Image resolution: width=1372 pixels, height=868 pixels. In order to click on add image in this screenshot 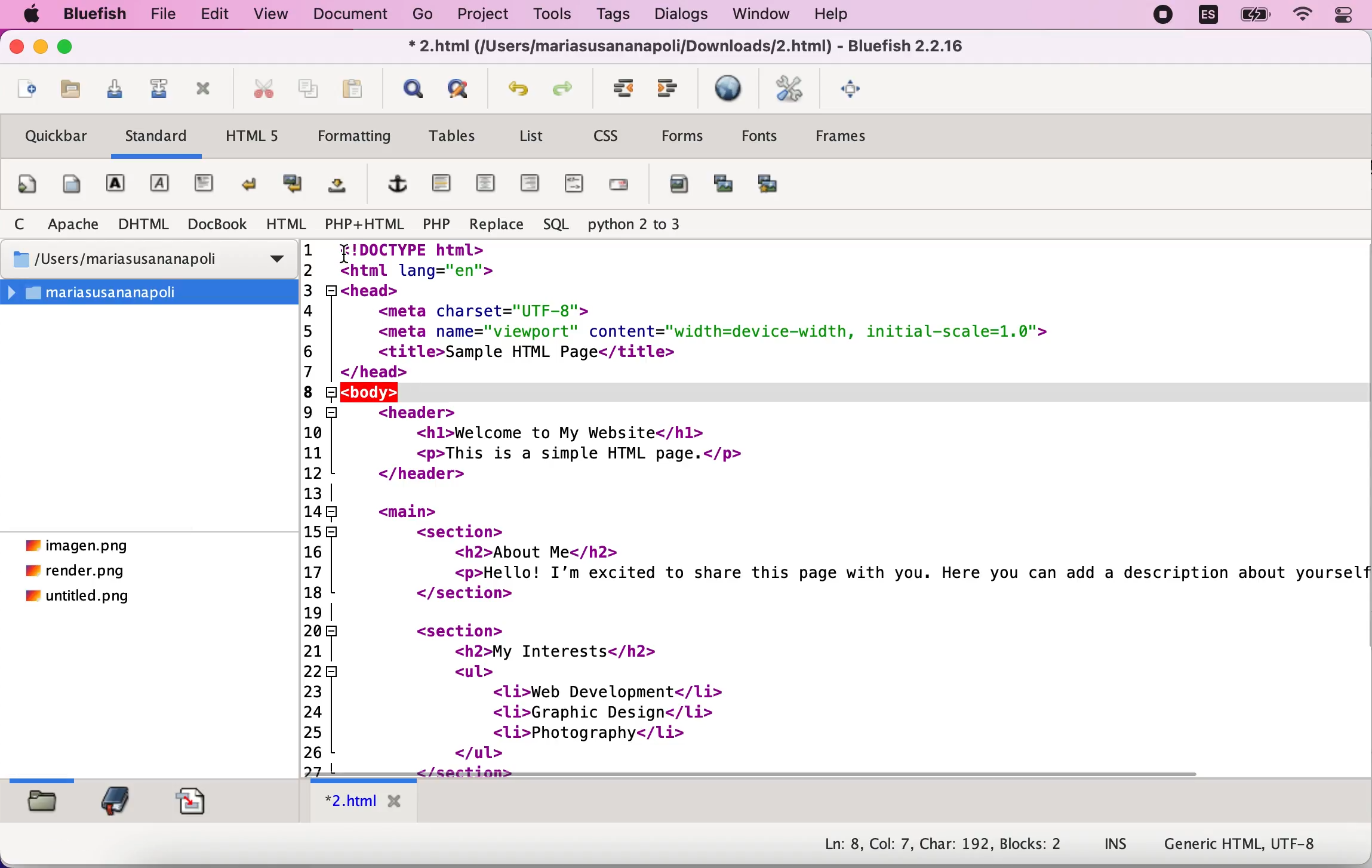, I will do `click(679, 190)`.